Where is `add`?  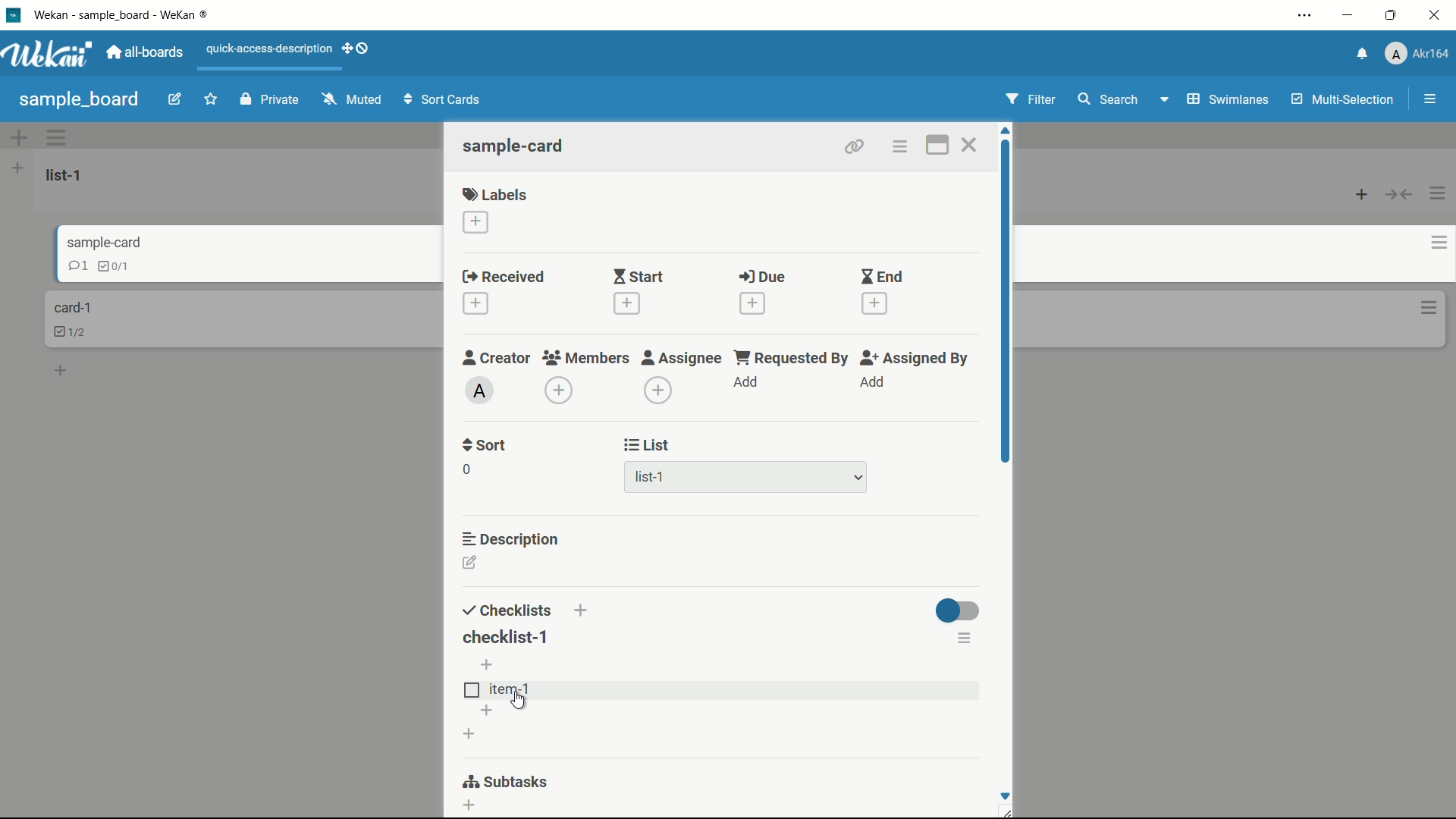
add is located at coordinates (747, 381).